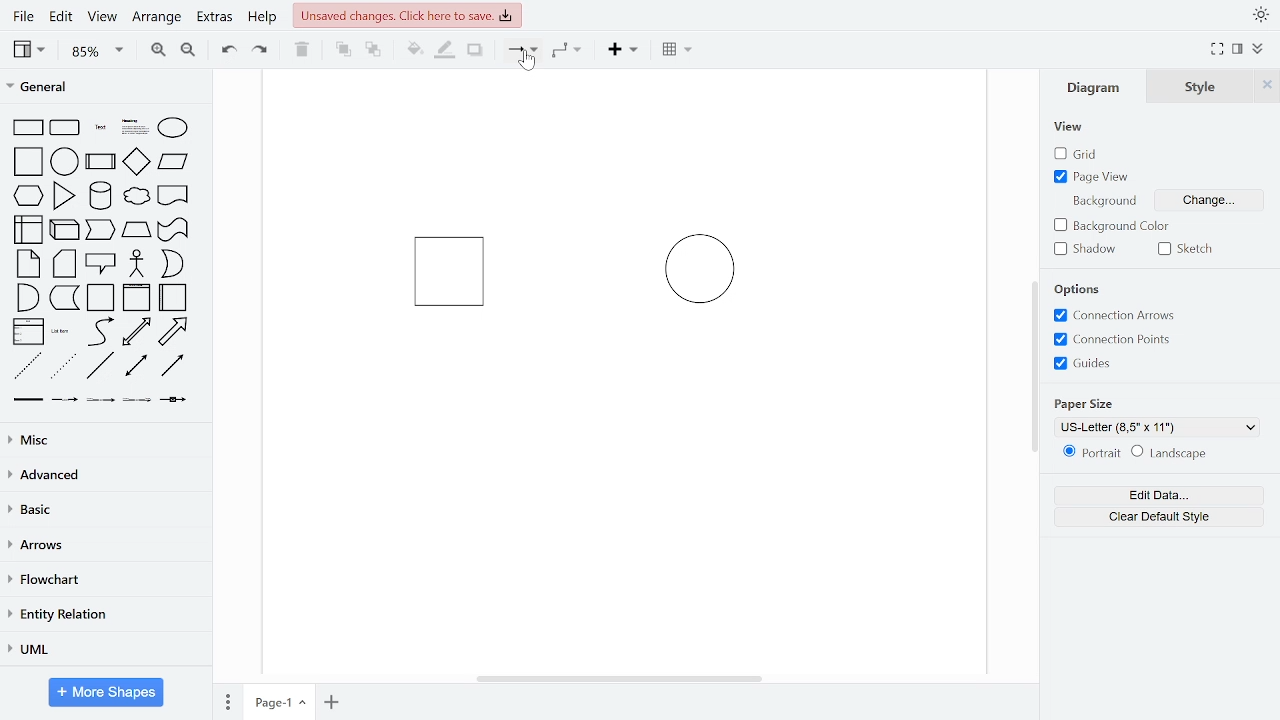  Describe the element at coordinates (102, 129) in the screenshot. I see `text` at that location.